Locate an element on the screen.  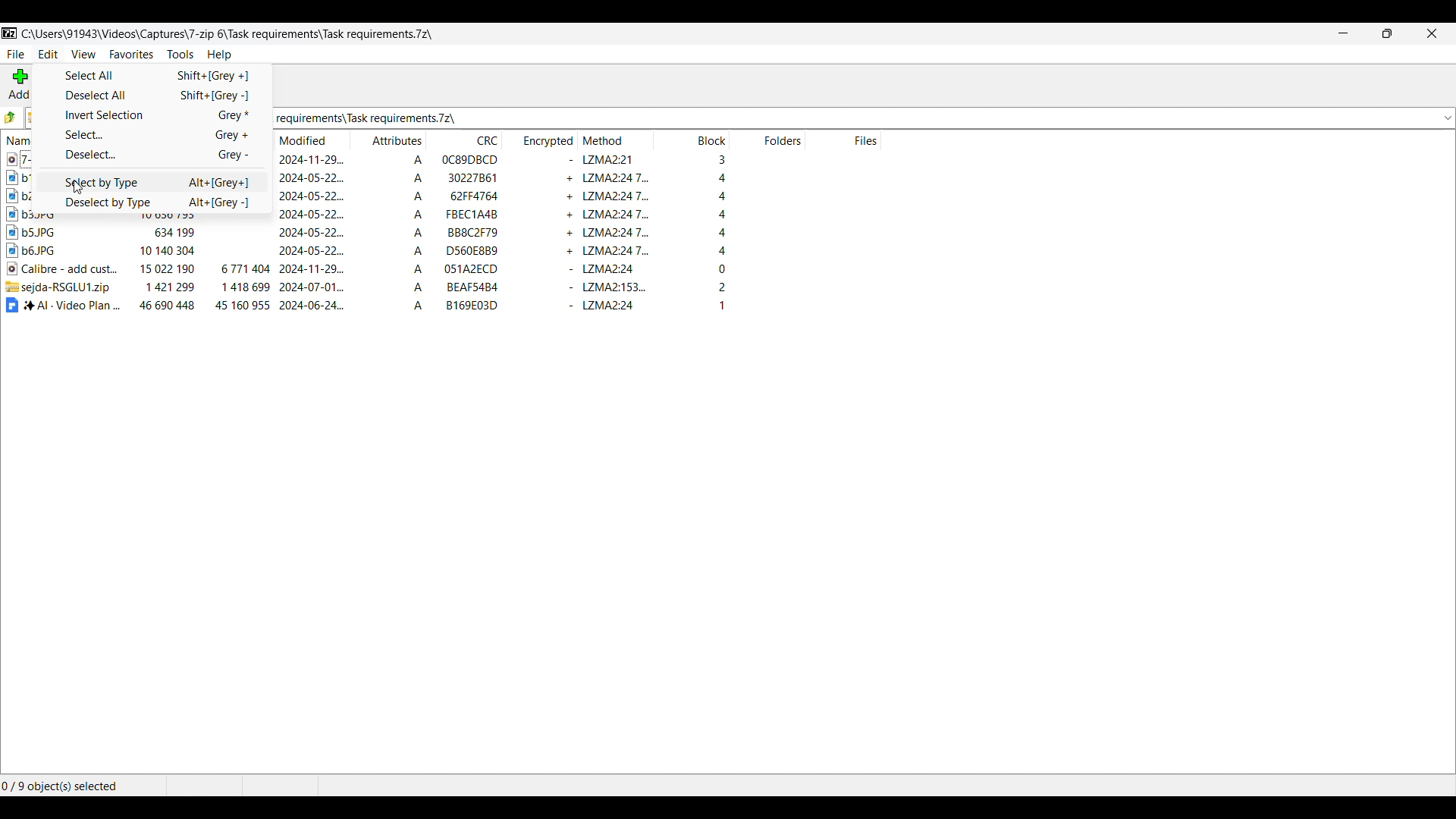
compressed file is located at coordinates (63, 287).